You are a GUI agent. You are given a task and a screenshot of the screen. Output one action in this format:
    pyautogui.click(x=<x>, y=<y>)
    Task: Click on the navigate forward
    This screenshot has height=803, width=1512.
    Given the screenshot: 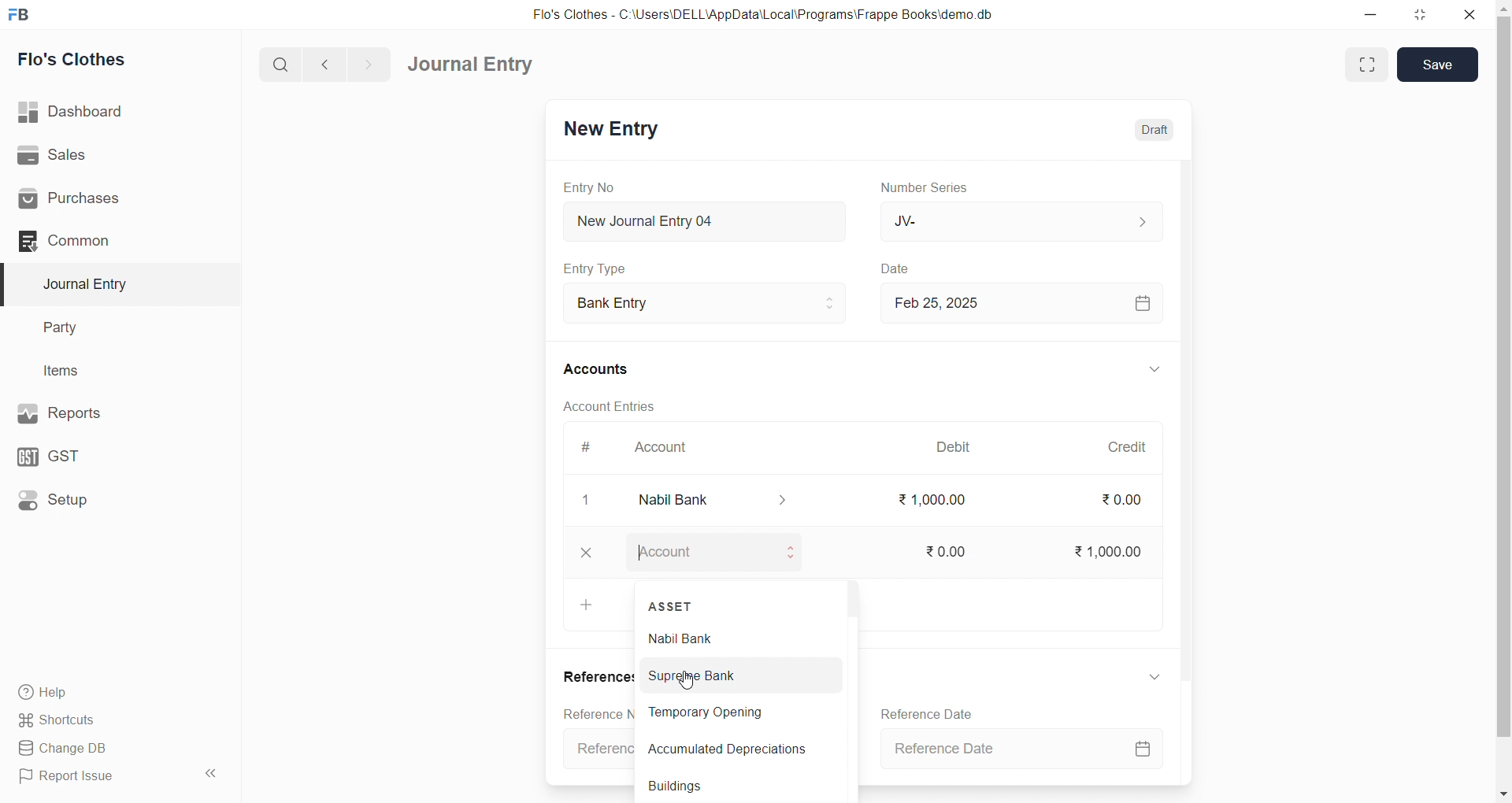 What is the action you would take?
    pyautogui.click(x=368, y=63)
    